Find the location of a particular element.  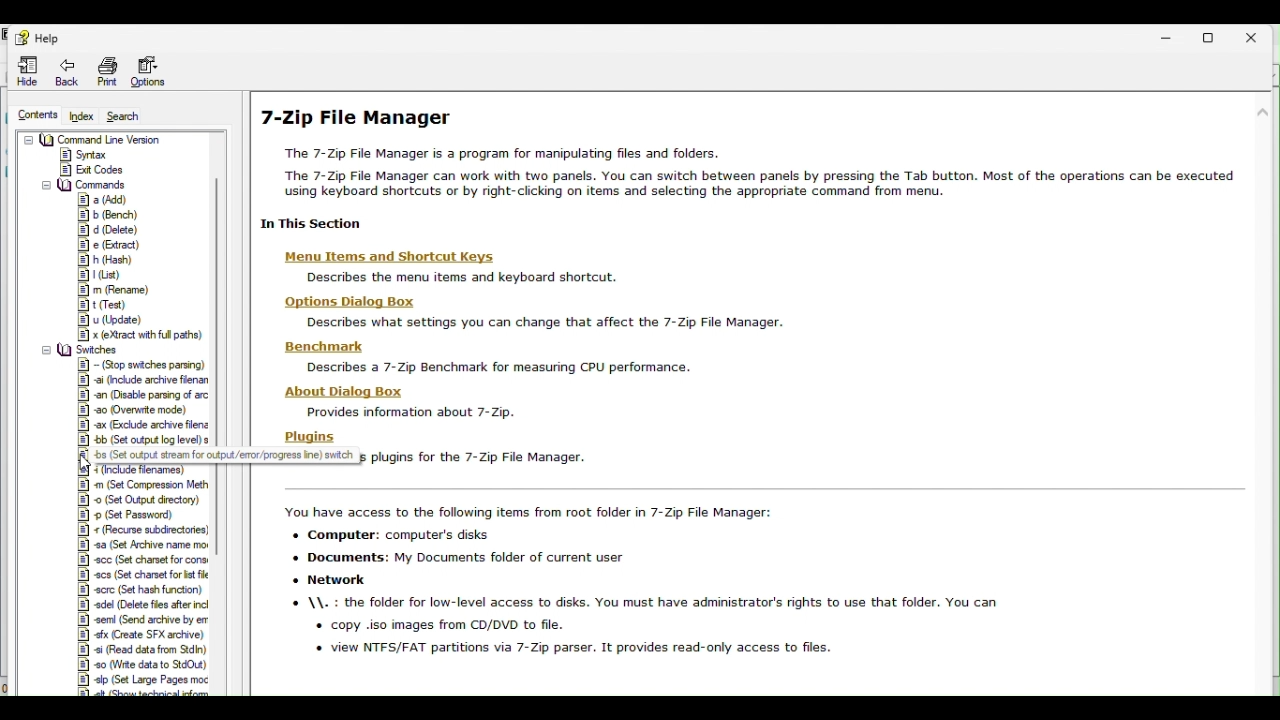

switches is located at coordinates (133, 397).